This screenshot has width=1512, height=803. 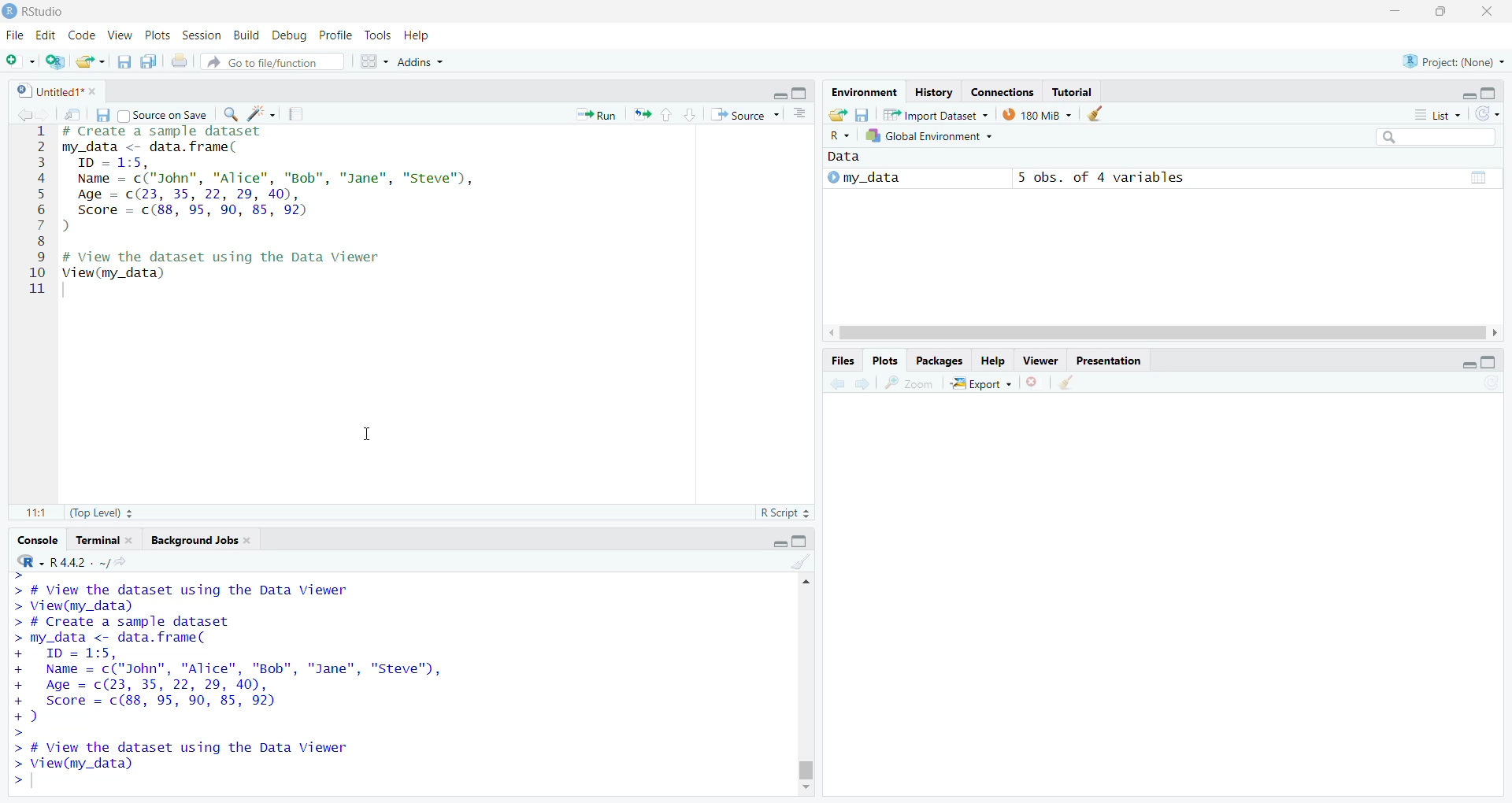 I want to click on Export, so click(x=978, y=383).